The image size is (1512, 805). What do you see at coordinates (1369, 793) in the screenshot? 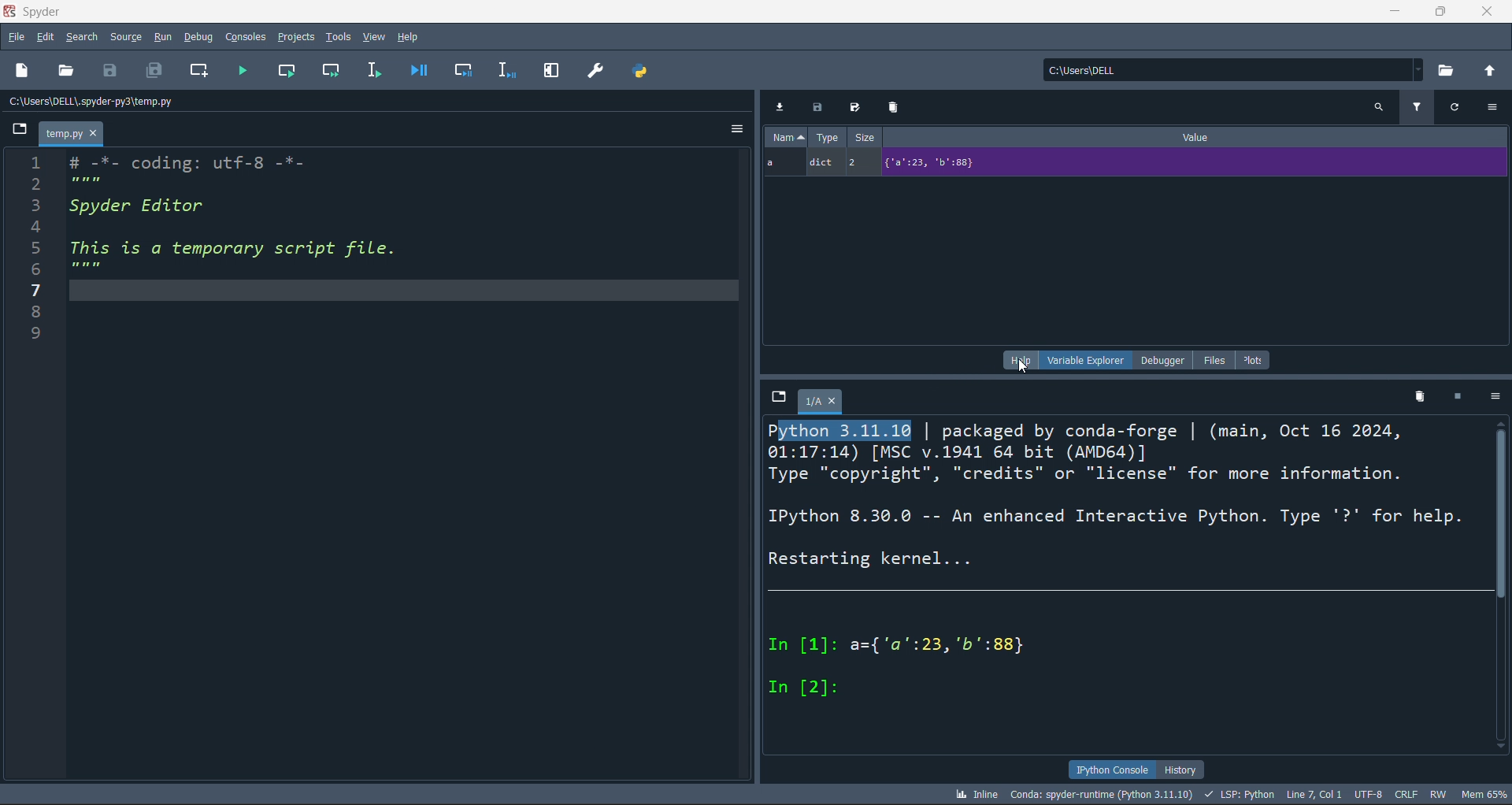
I see `UTF-8` at bounding box center [1369, 793].